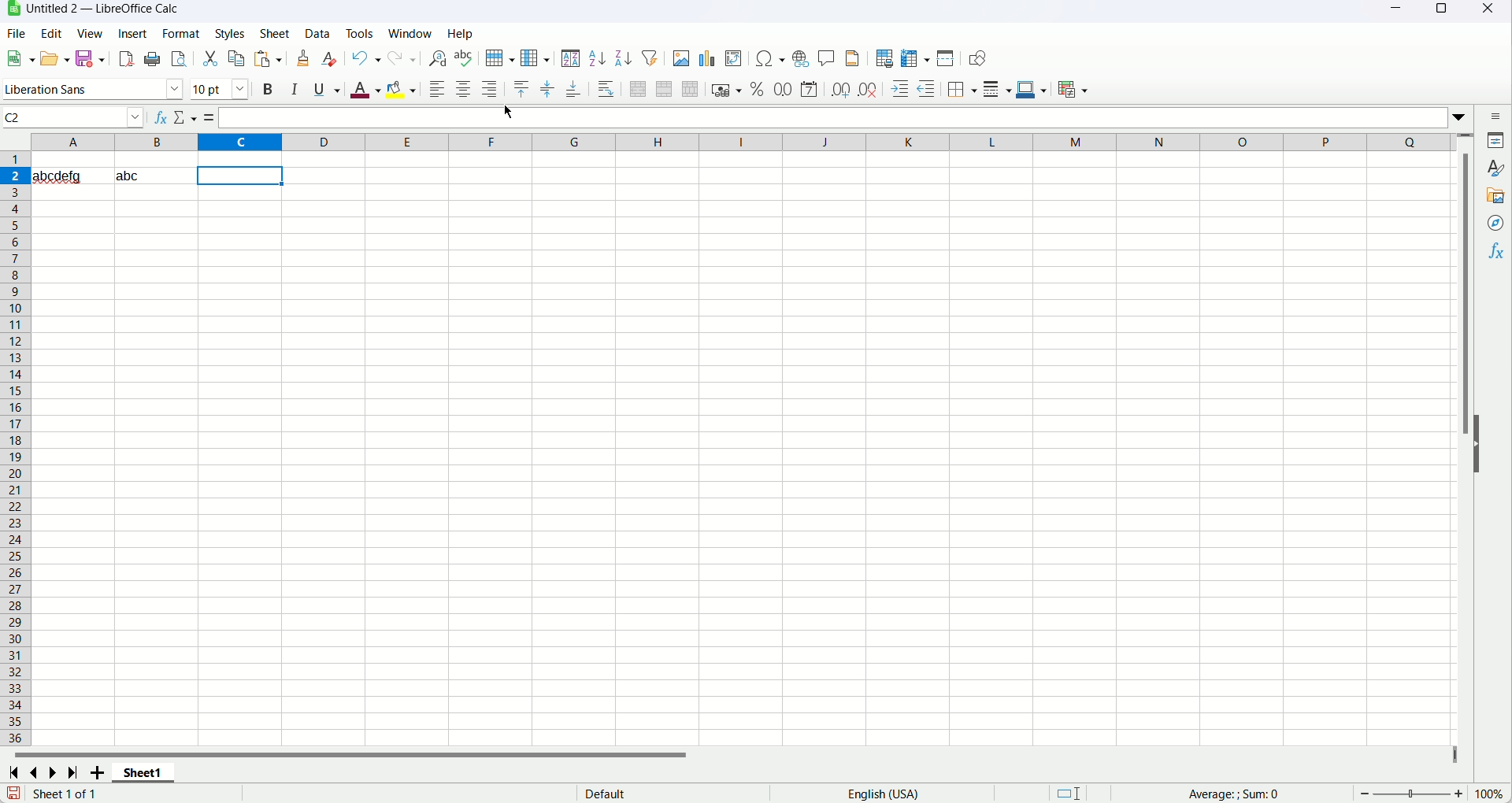 This screenshot has height=803, width=1512. I want to click on format as number, so click(783, 90).